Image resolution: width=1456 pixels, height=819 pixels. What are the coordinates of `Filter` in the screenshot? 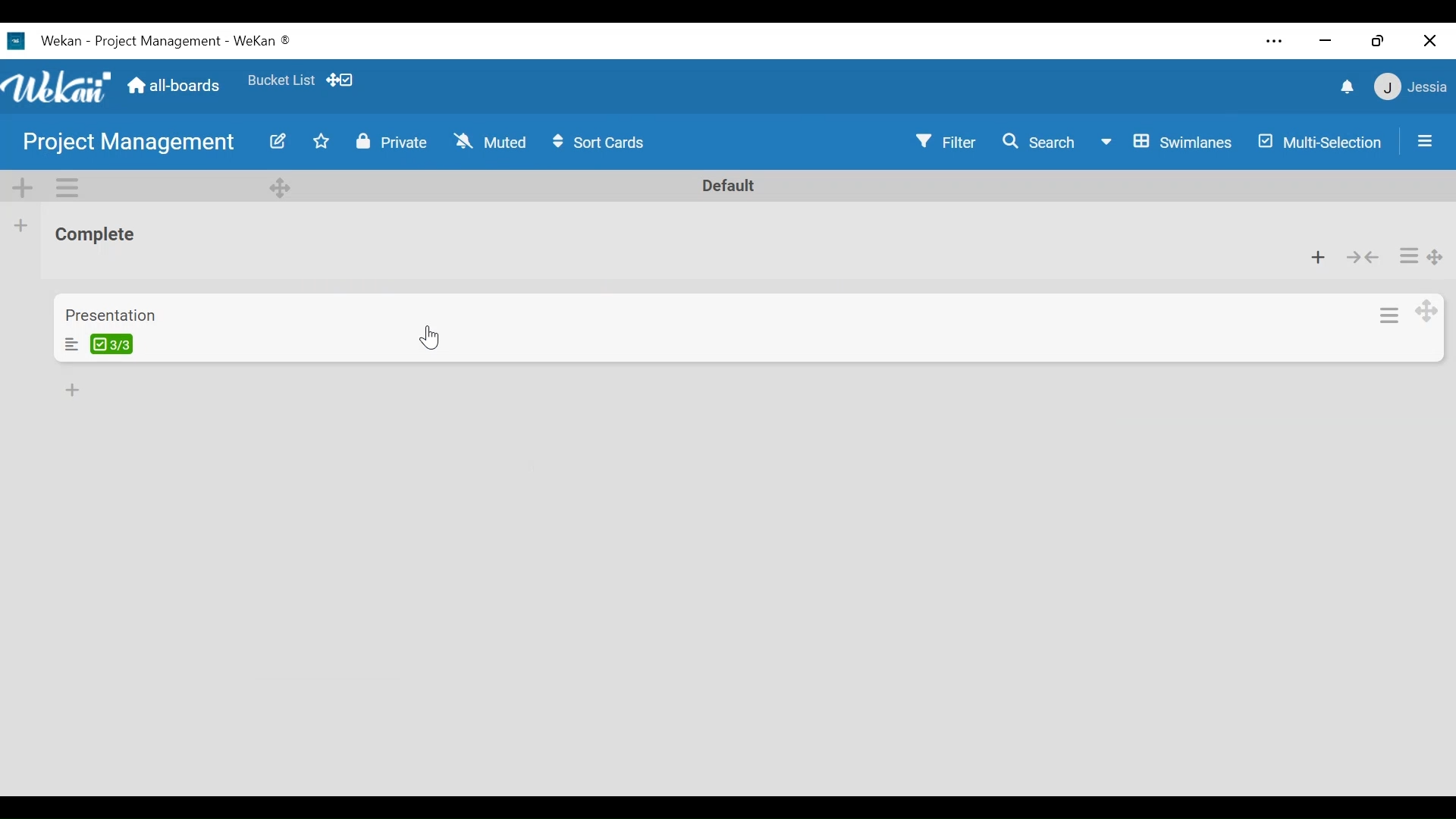 It's located at (945, 143).